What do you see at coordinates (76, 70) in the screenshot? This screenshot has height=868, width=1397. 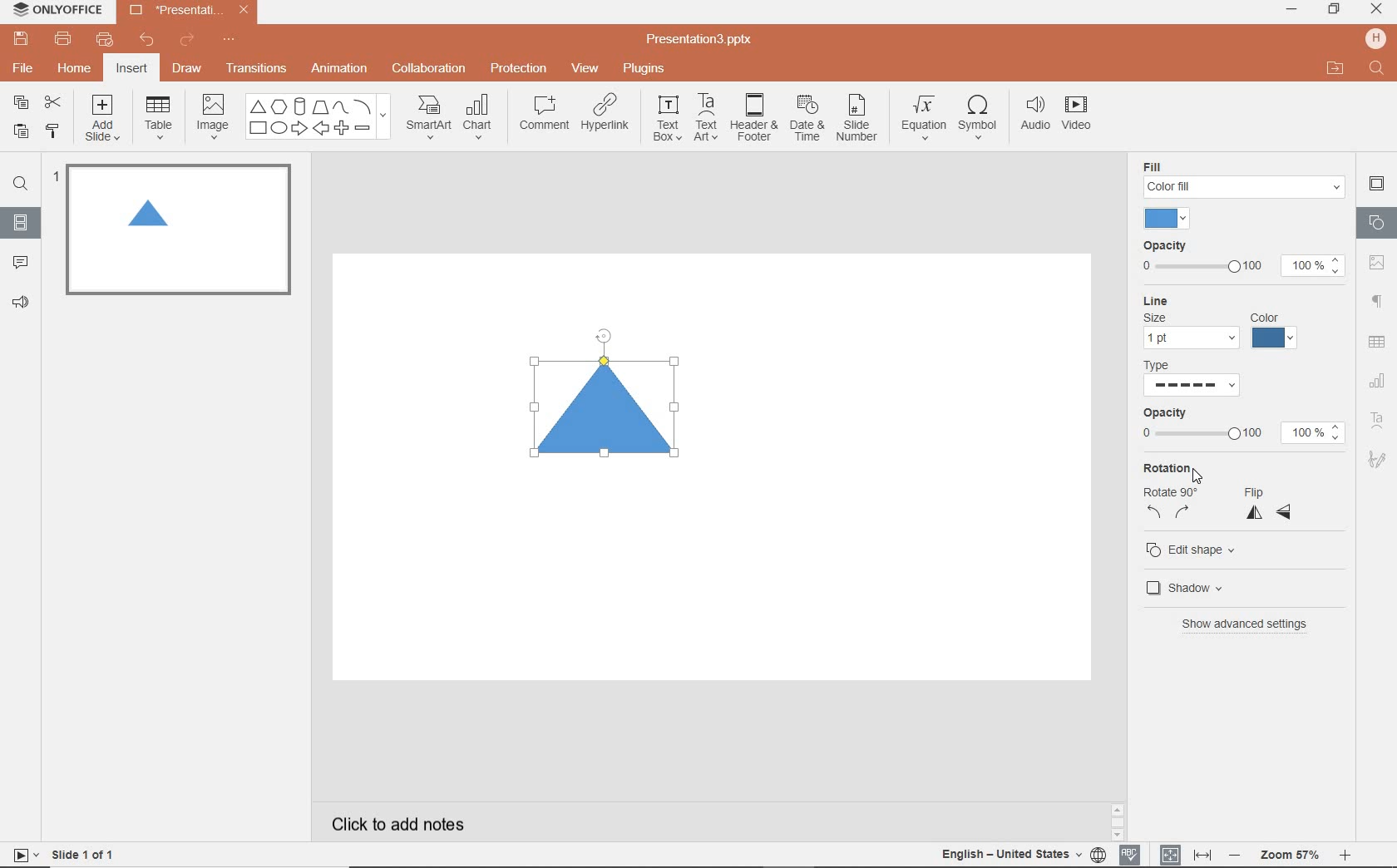 I see `HOME` at bounding box center [76, 70].